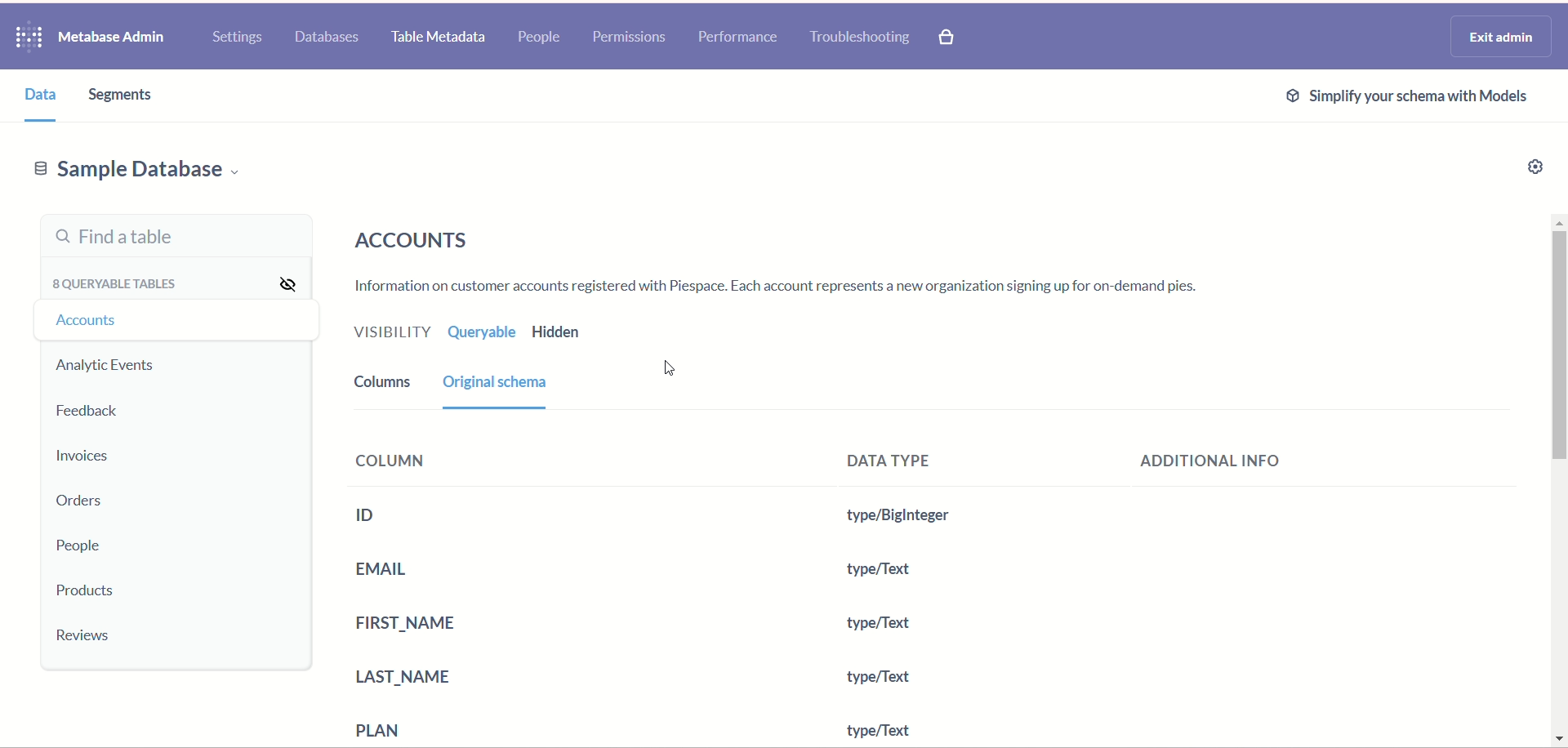 The width and height of the screenshot is (1568, 748). Describe the element at coordinates (374, 514) in the screenshot. I see `ID` at that location.